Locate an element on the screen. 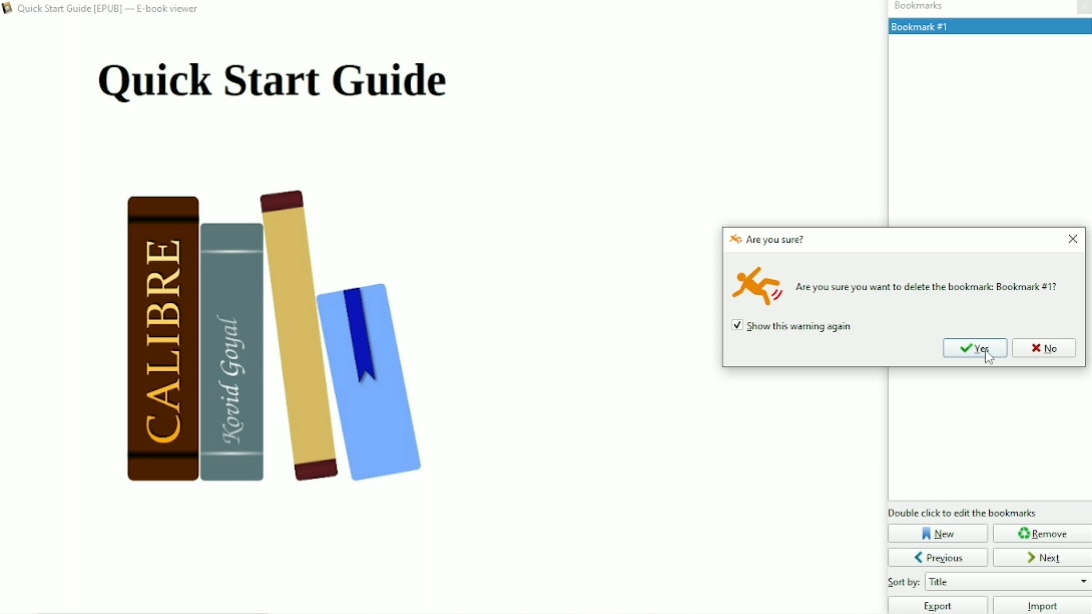 This screenshot has height=614, width=1092. Bookmark is located at coordinates (988, 26).